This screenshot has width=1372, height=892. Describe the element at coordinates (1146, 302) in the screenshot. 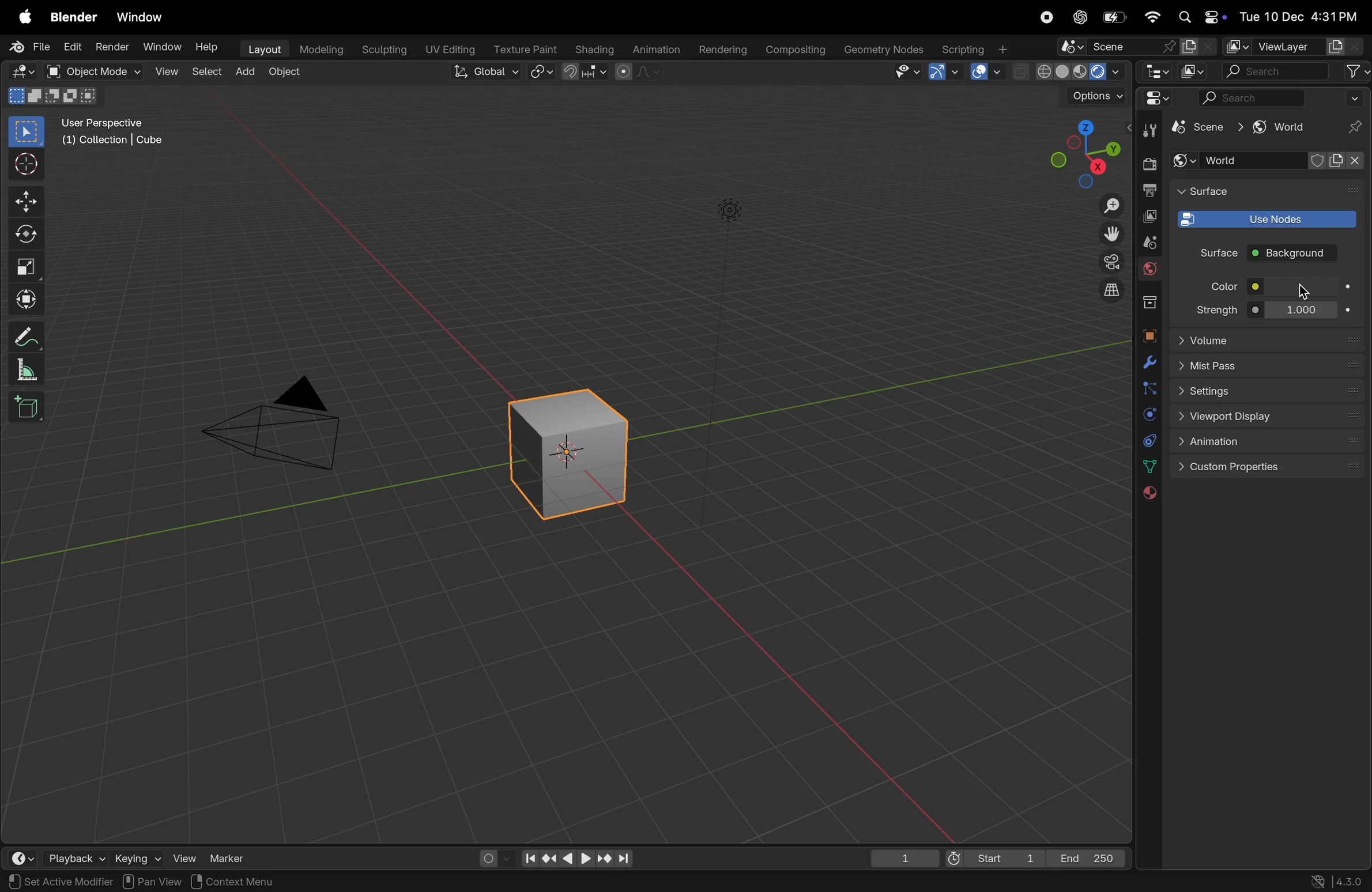

I see `collection` at that location.